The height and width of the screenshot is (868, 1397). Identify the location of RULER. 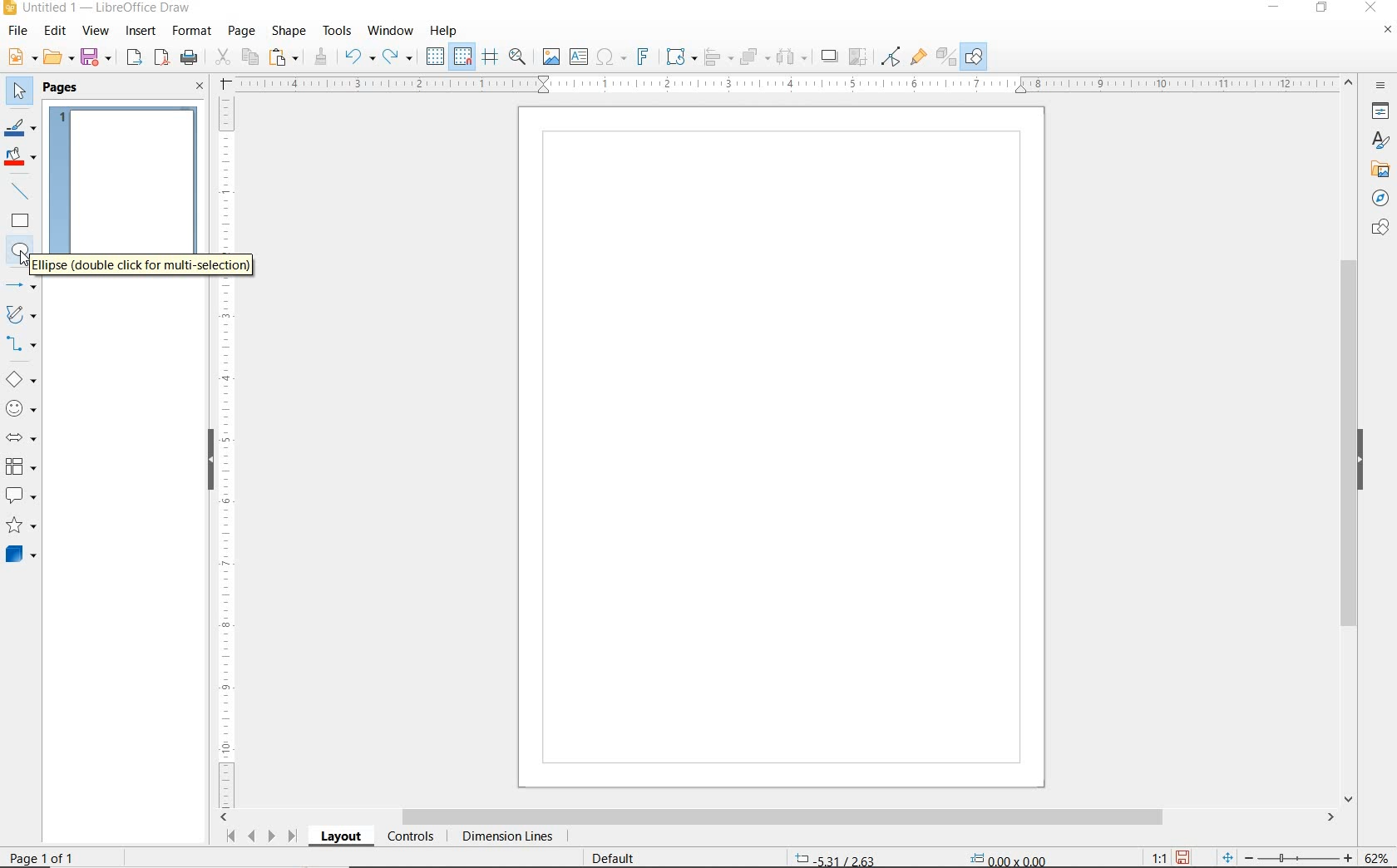
(228, 450).